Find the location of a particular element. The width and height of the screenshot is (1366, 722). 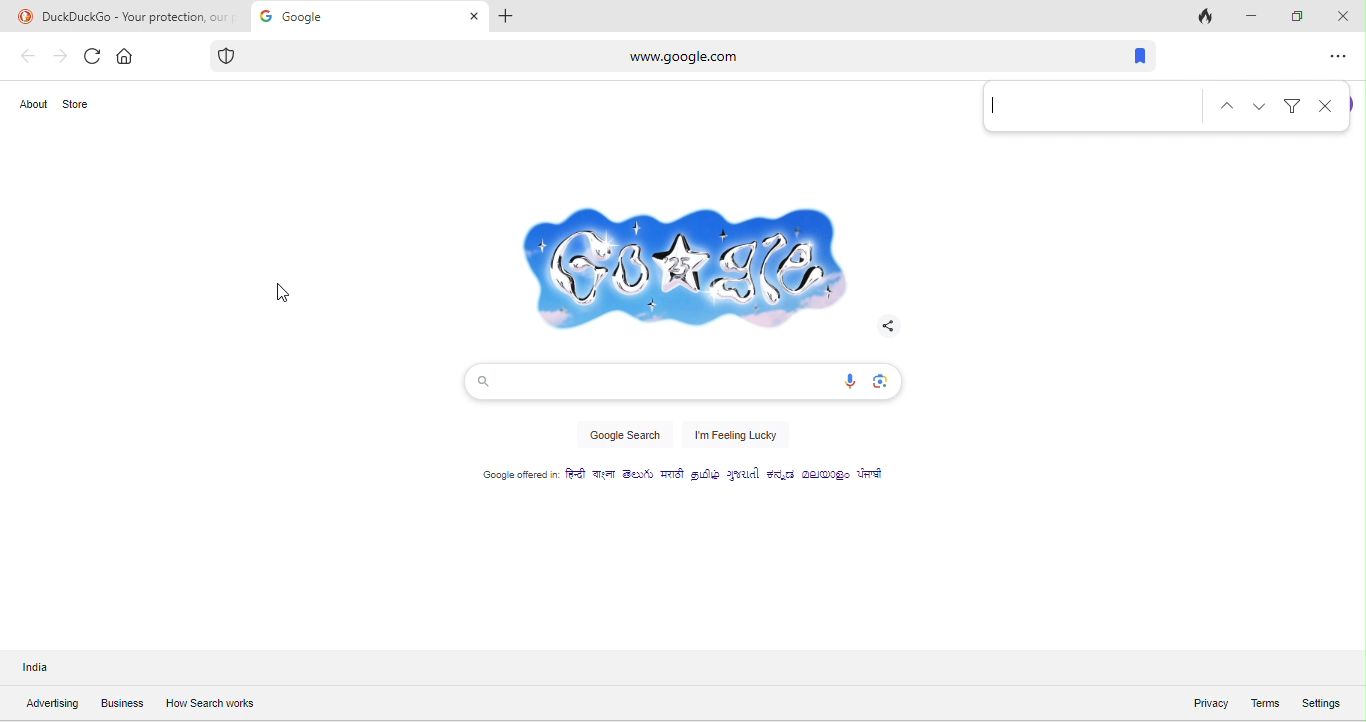

business is located at coordinates (122, 705).